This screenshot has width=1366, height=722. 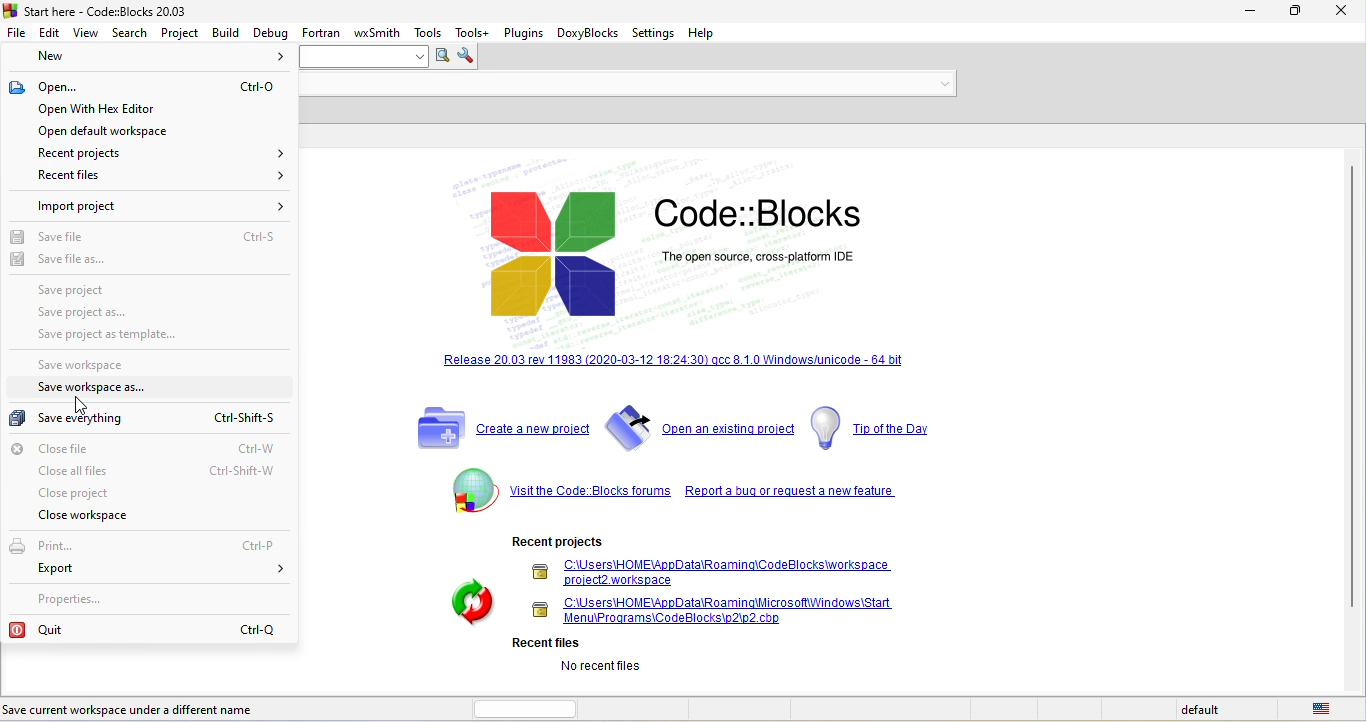 What do you see at coordinates (430, 32) in the screenshot?
I see `tools` at bounding box center [430, 32].